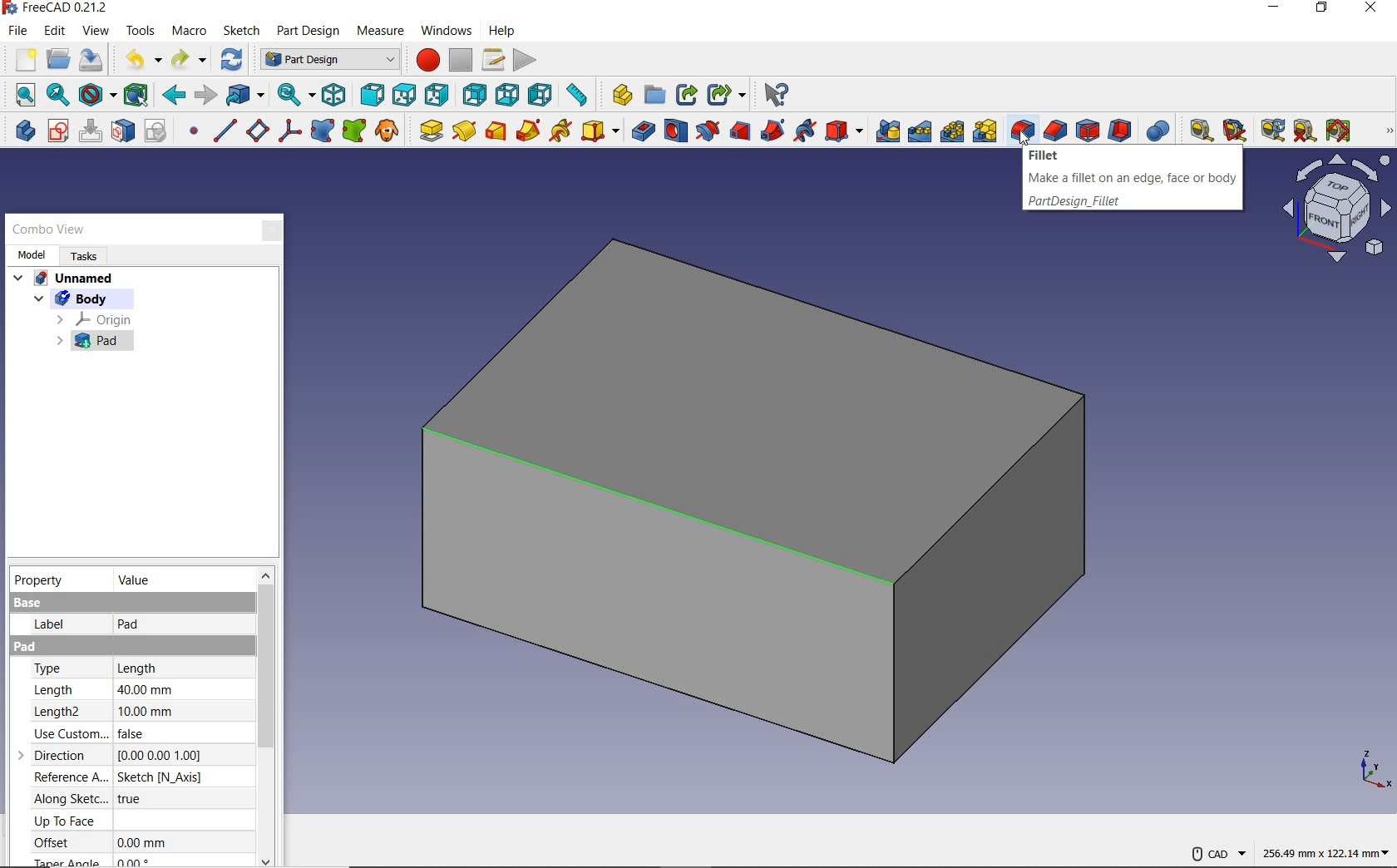 The image size is (1397, 868). Describe the element at coordinates (122, 131) in the screenshot. I see `map sketch to face` at that location.